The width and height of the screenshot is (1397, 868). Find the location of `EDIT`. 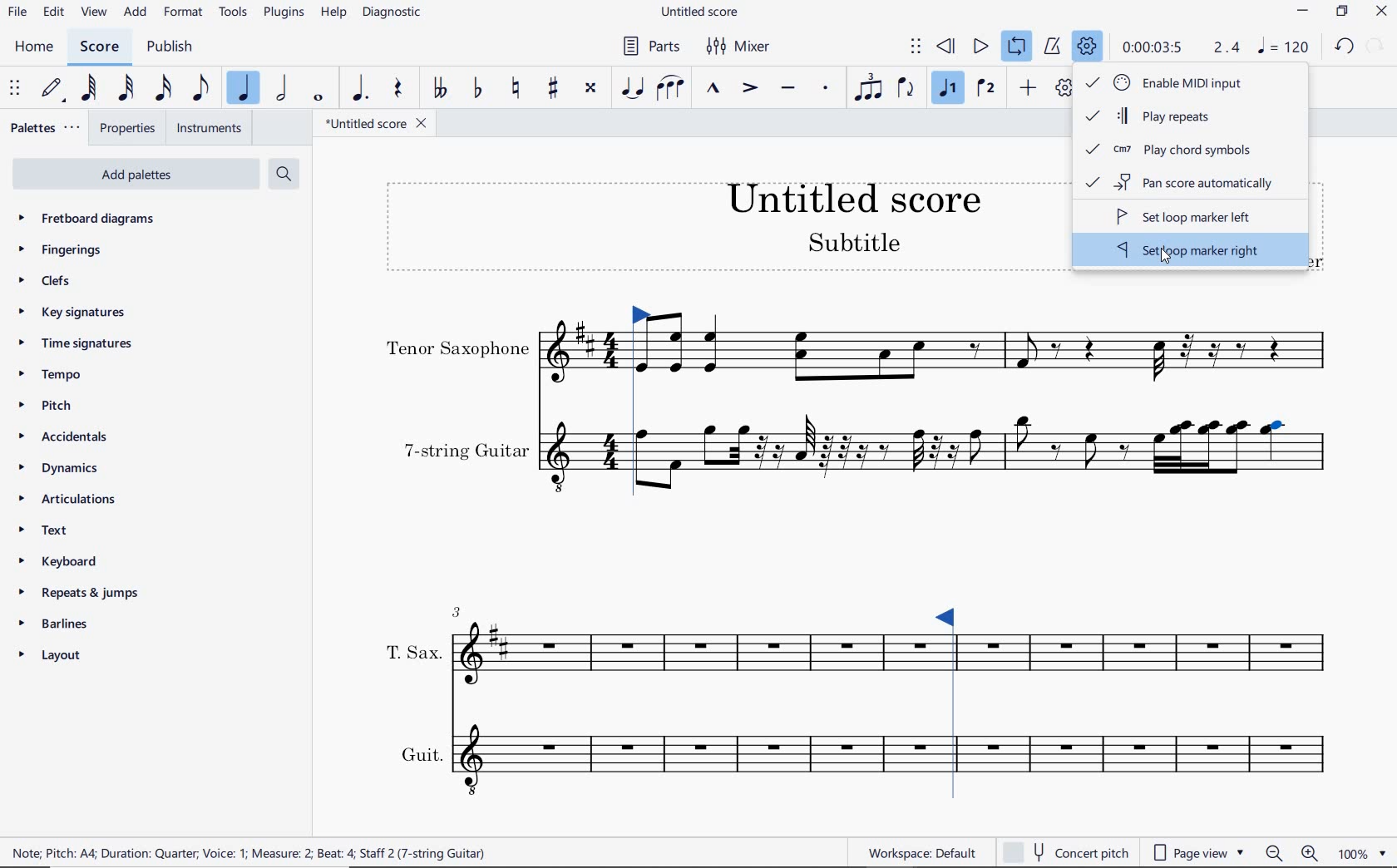

EDIT is located at coordinates (53, 13).